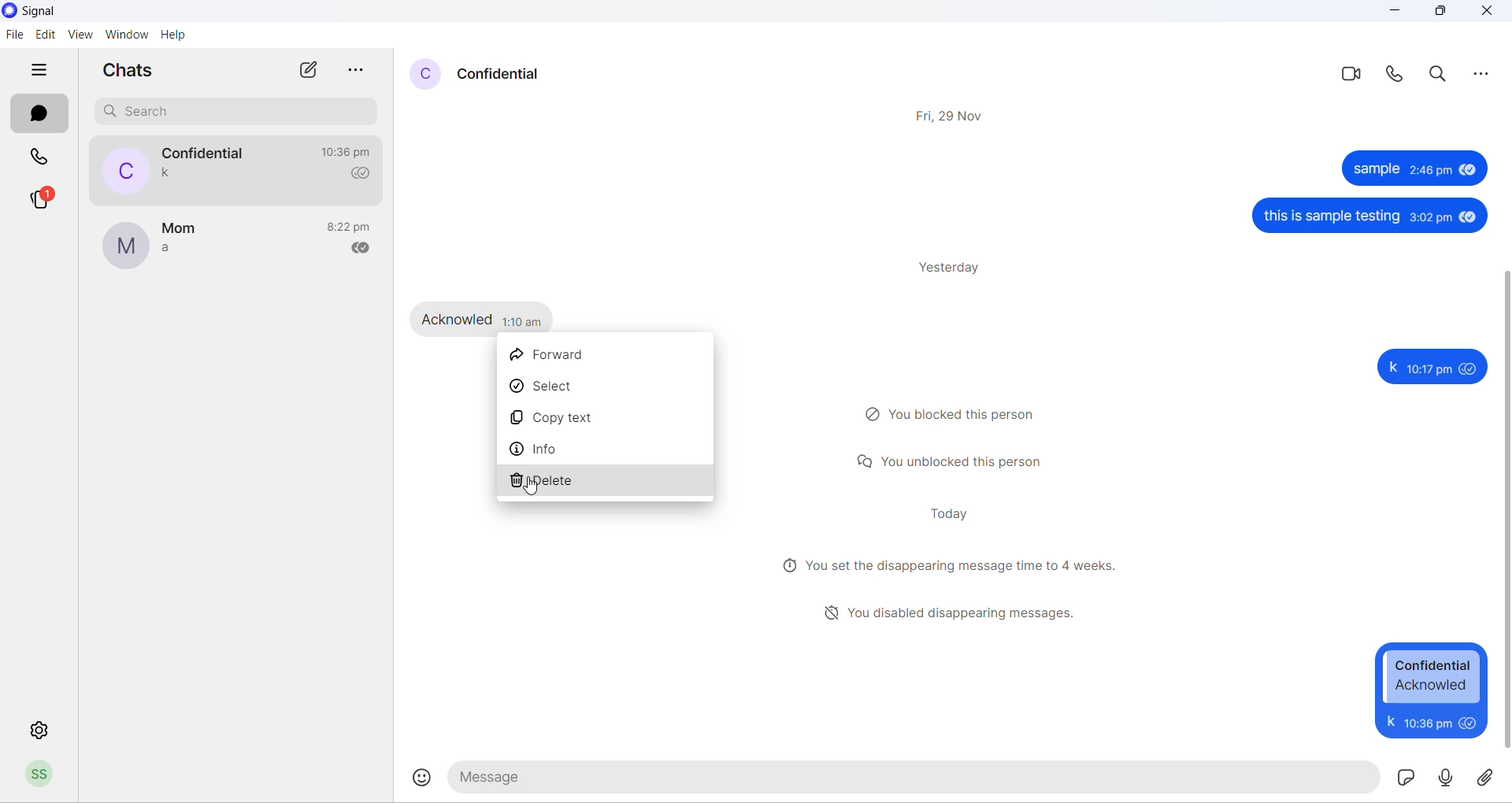  Describe the element at coordinates (127, 70) in the screenshot. I see `chats heading` at that location.